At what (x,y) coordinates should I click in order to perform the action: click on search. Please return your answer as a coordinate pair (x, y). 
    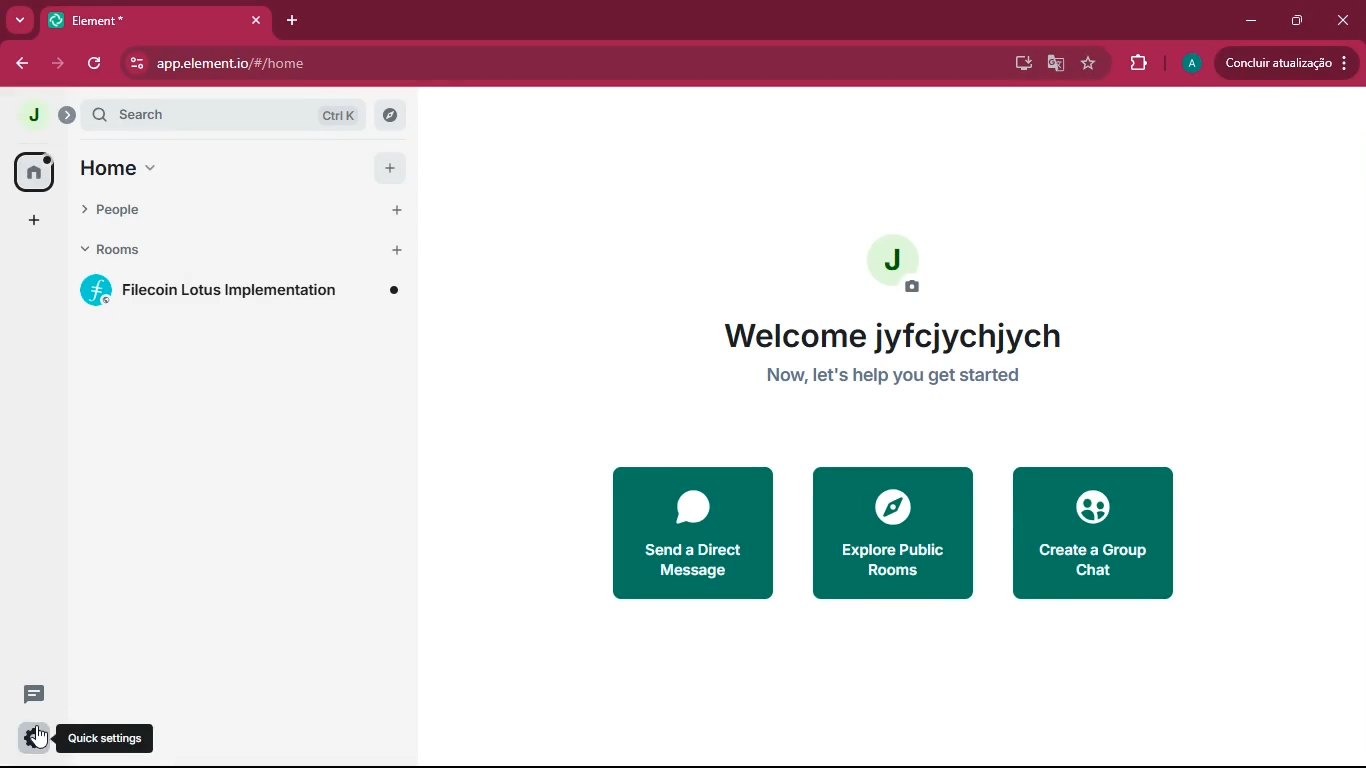
    Looking at the image, I should click on (243, 114).